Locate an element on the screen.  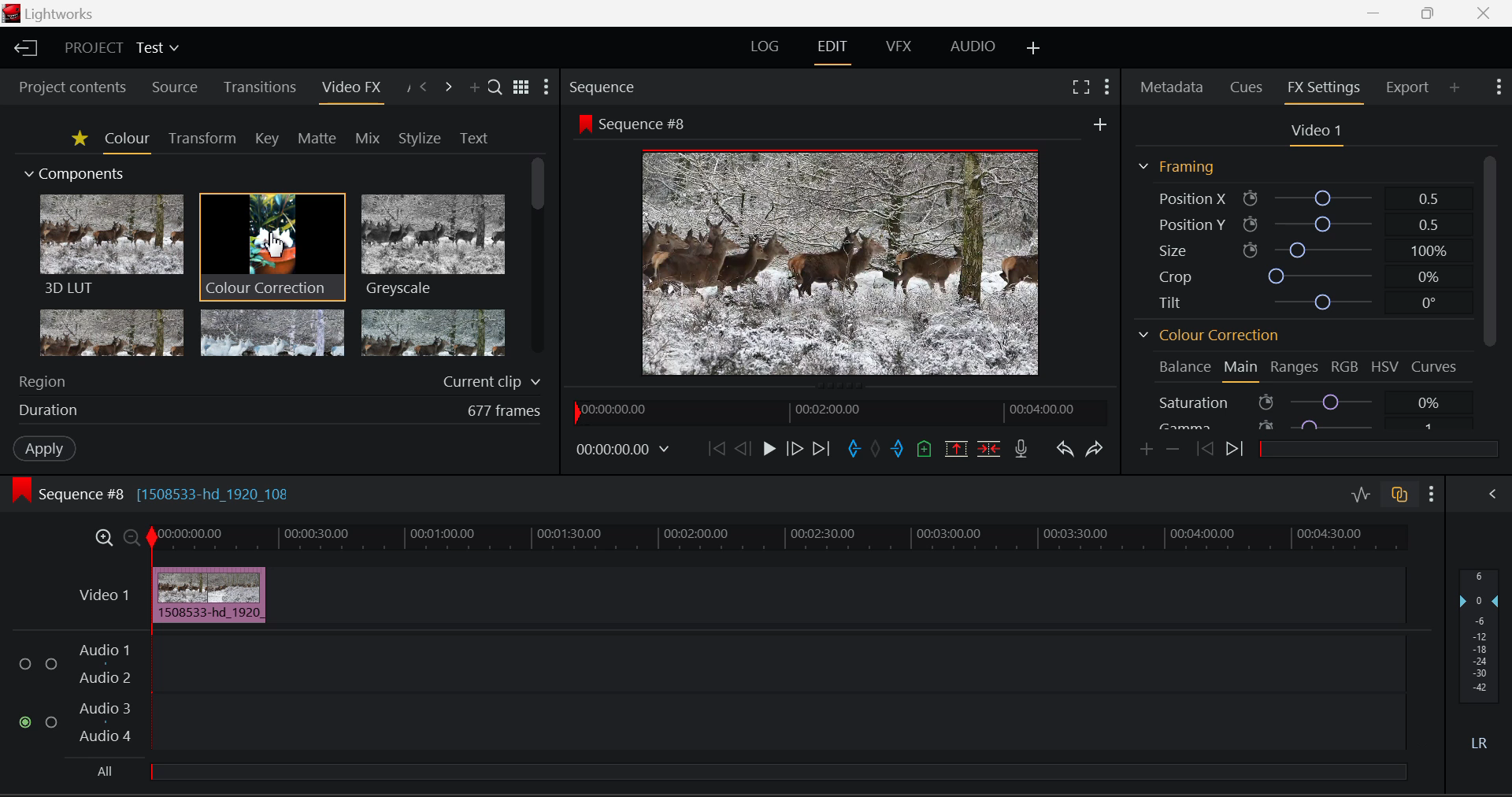
Framing Section is located at coordinates (1177, 168).